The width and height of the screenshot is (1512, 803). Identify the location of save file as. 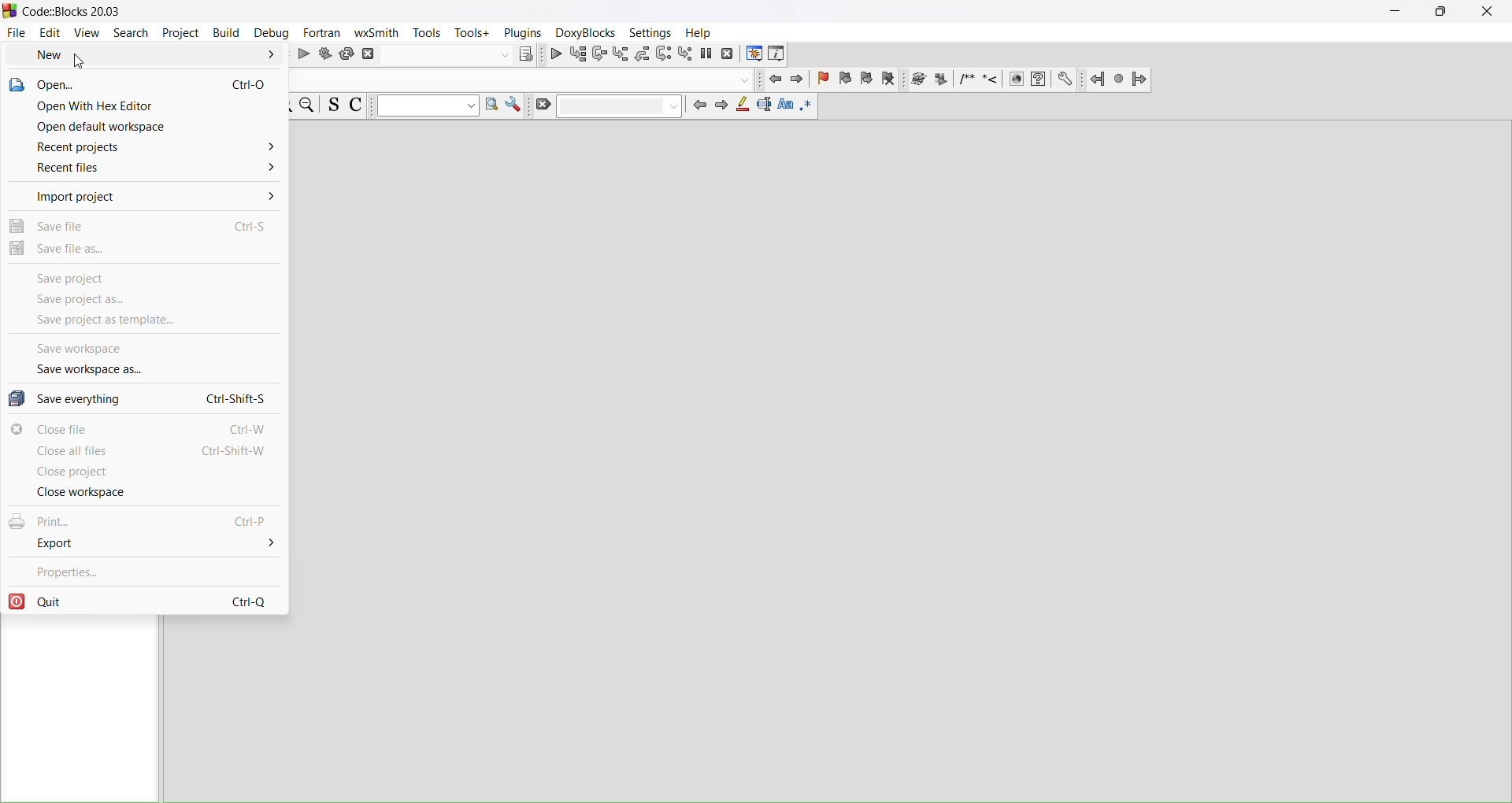
(146, 251).